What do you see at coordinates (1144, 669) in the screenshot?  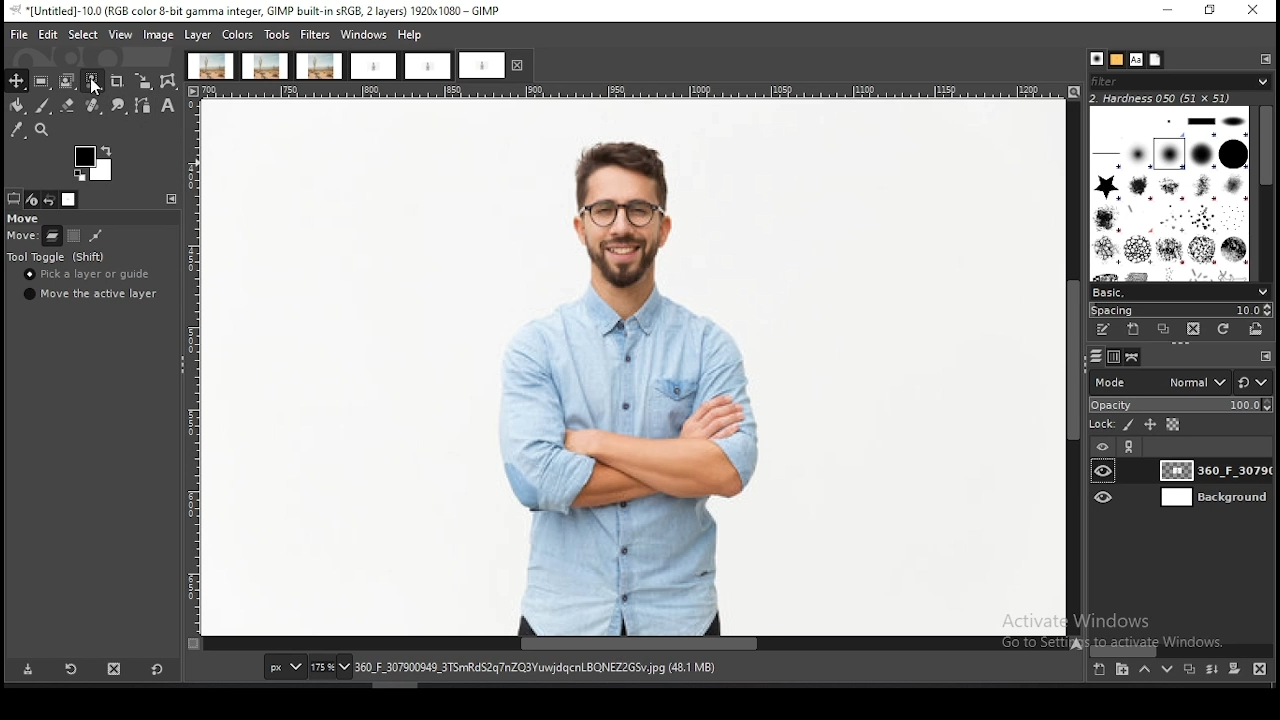 I see `move layer one step up` at bounding box center [1144, 669].